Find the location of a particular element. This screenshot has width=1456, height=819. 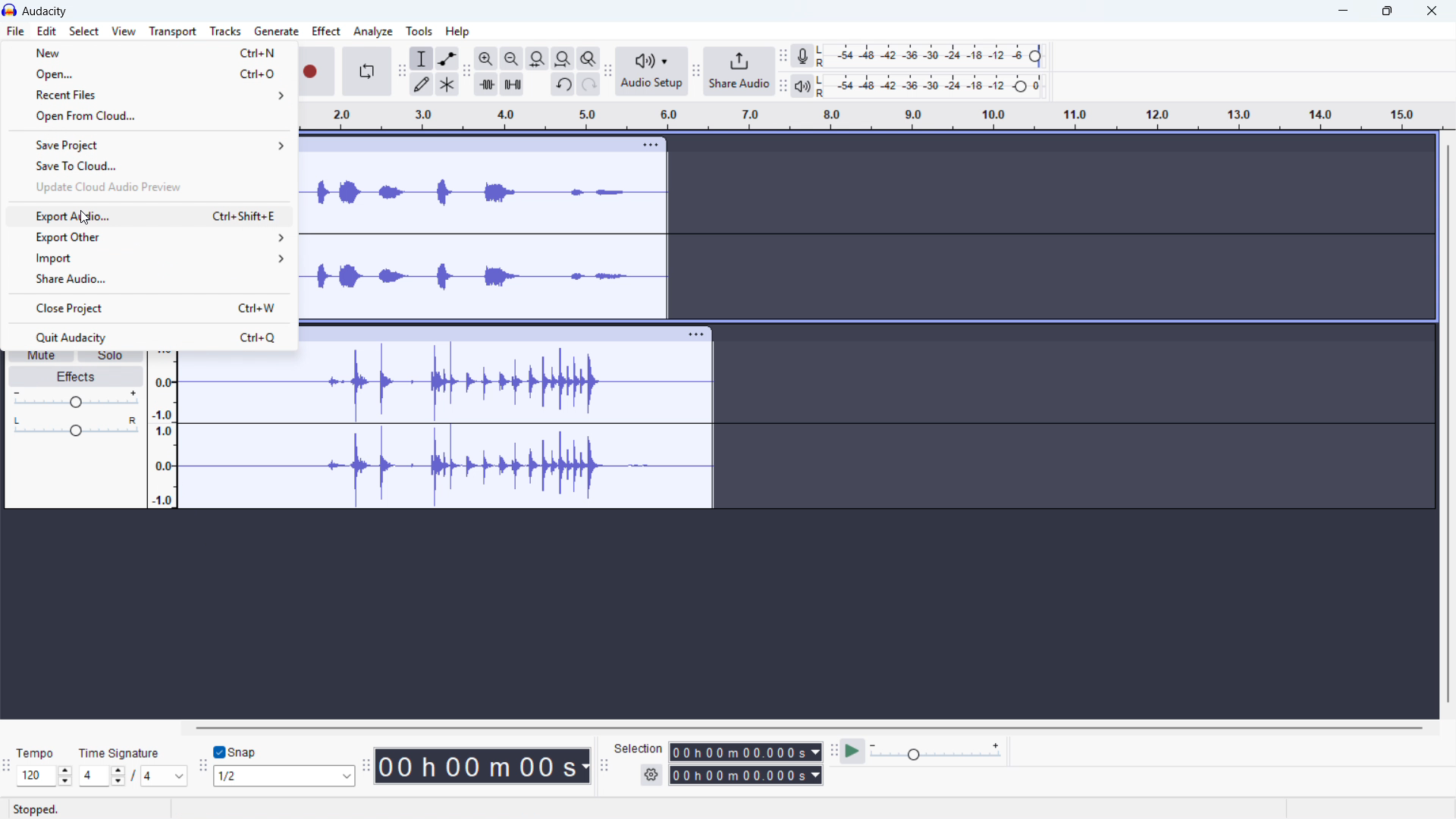

Timestamp is located at coordinates (485, 766).